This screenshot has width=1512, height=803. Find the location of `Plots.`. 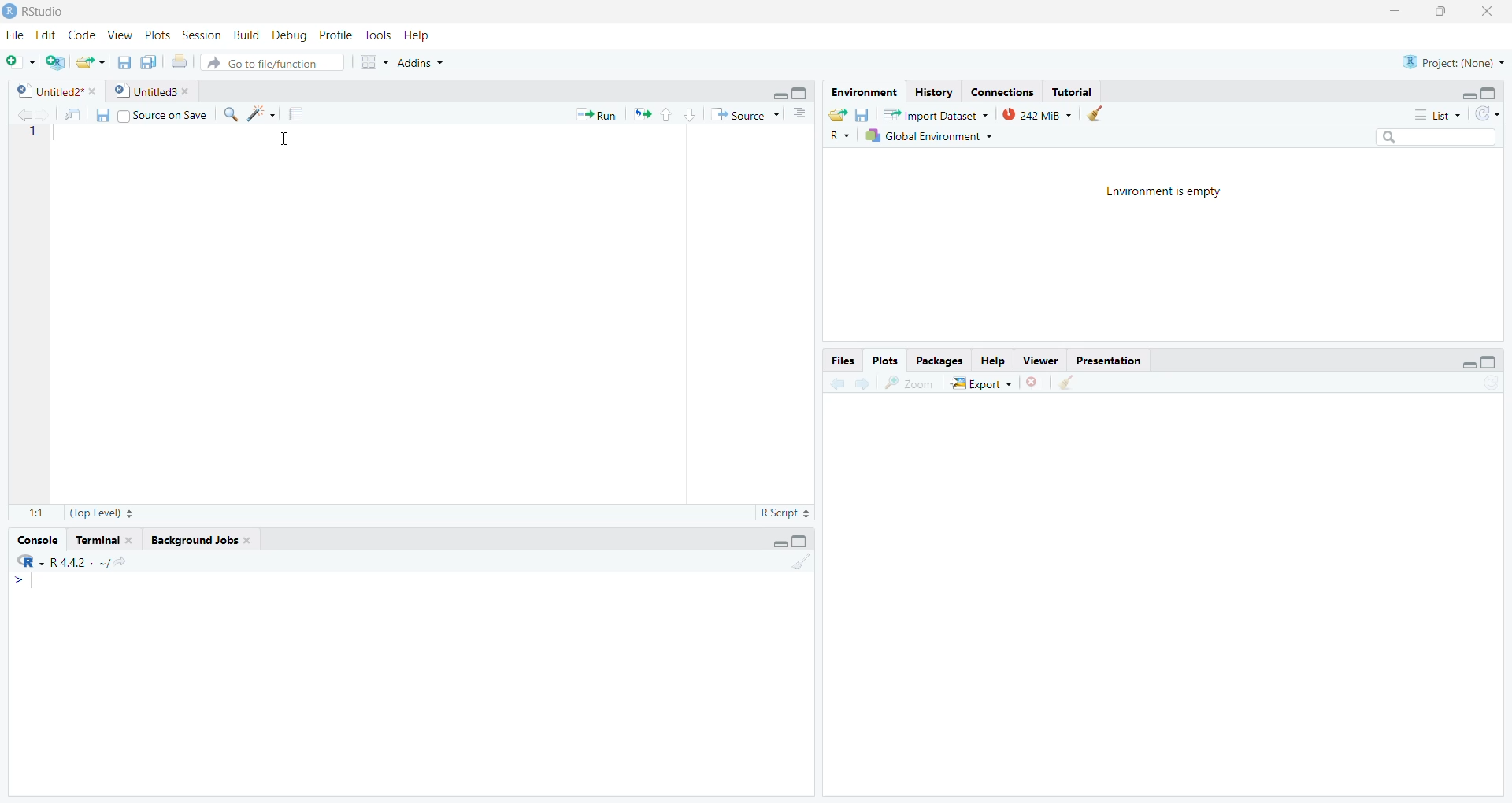

Plots. is located at coordinates (885, 360).